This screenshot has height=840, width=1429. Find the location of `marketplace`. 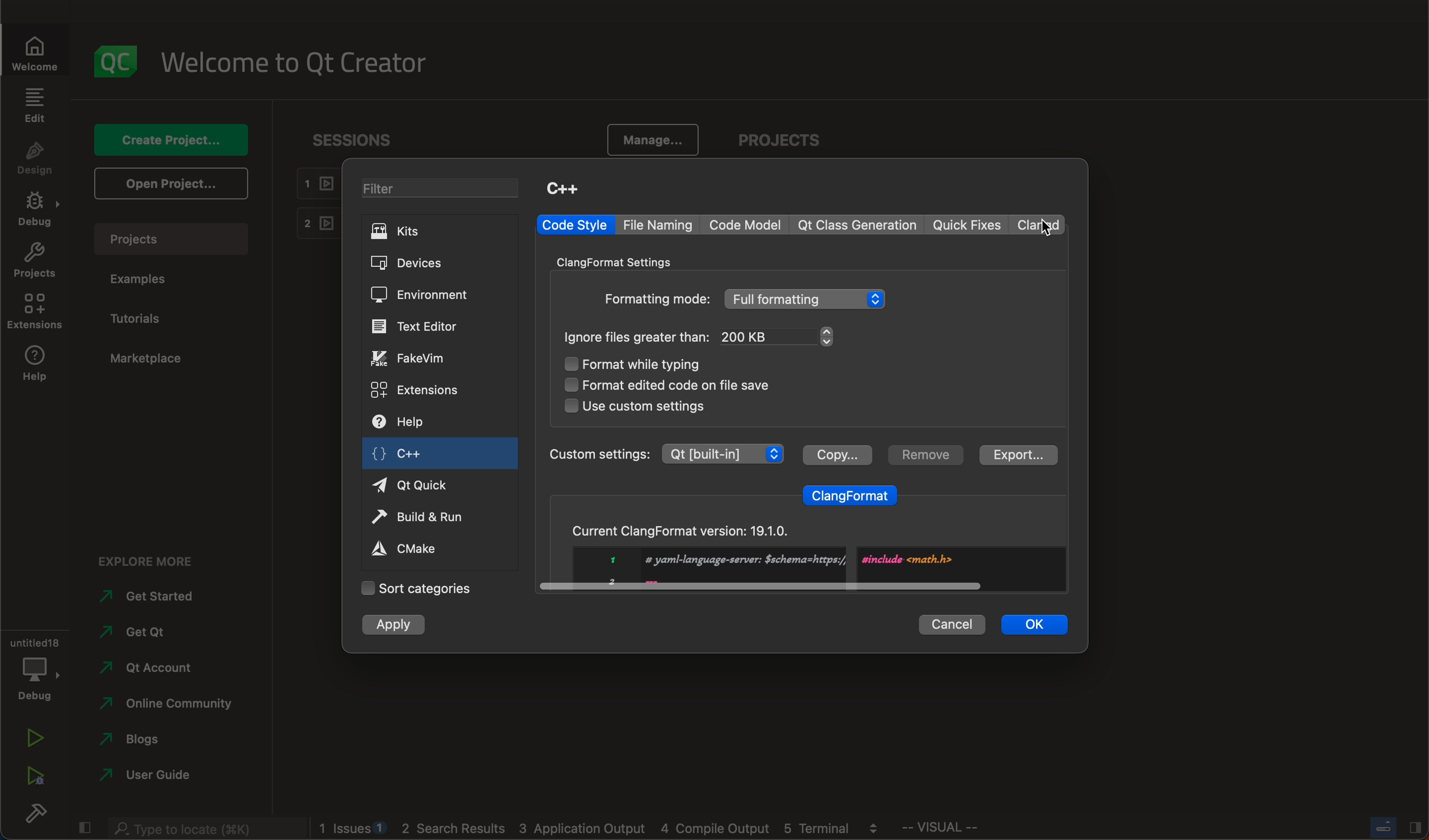

marketplace is located at coordinates (164, 359).